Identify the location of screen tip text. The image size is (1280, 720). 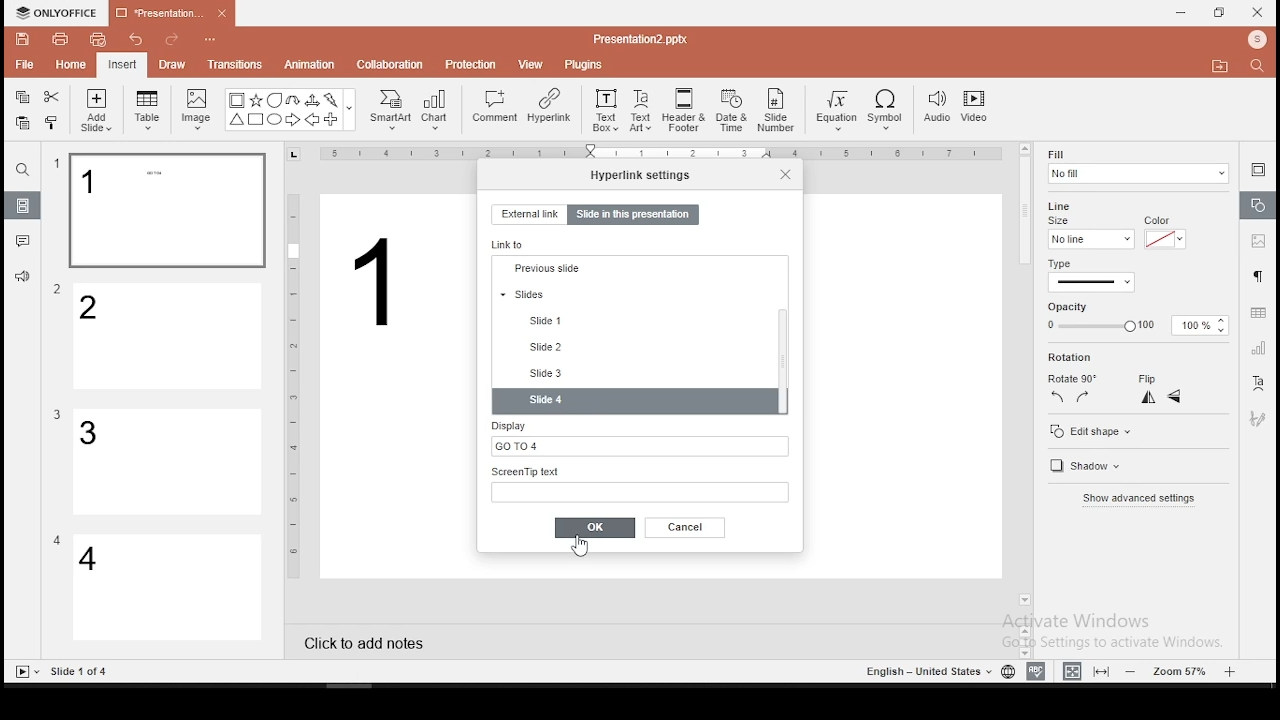
(640, 483).